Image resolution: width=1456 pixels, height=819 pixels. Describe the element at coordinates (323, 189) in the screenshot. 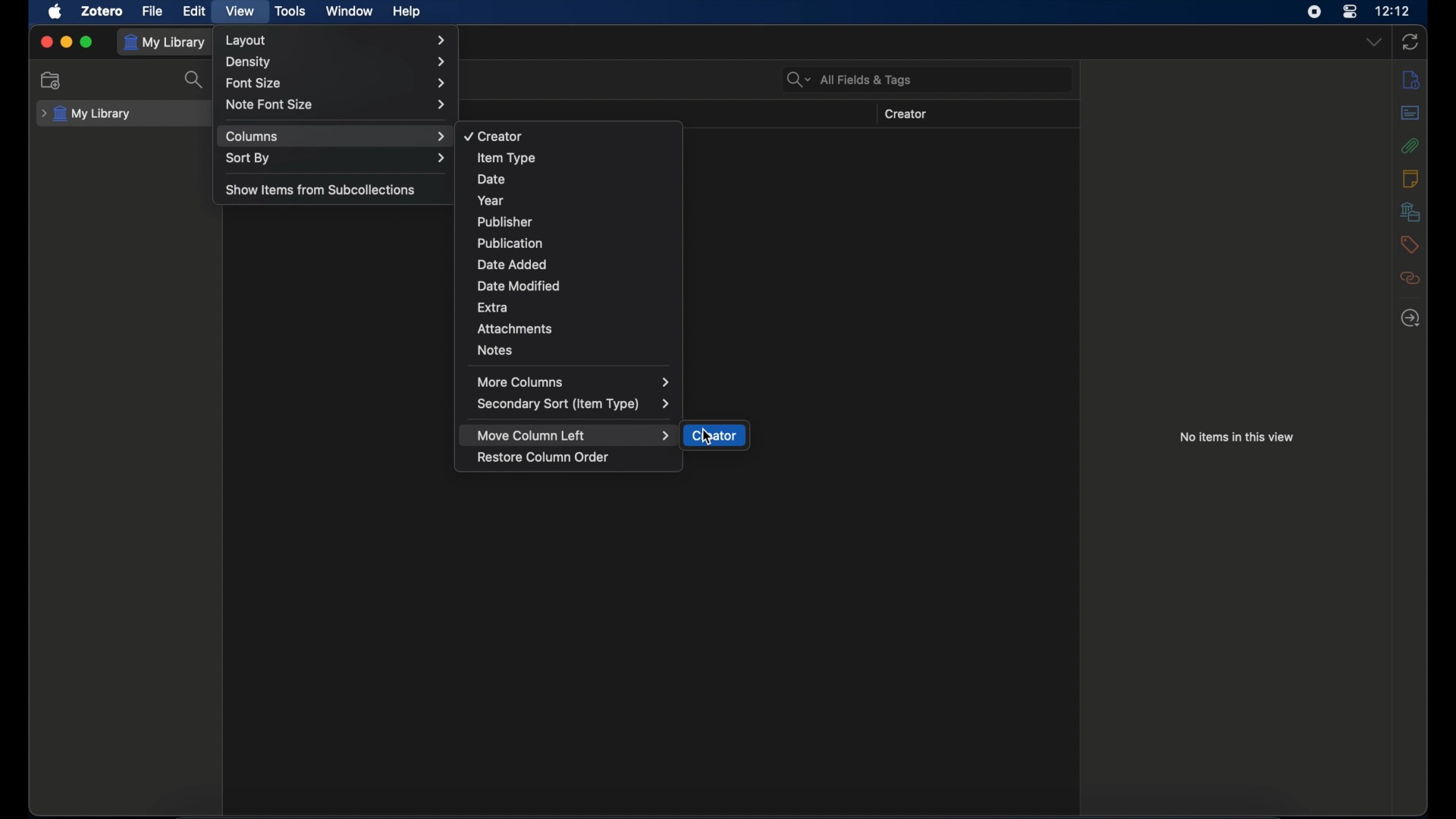

I see `show item from subcollections` at that location.